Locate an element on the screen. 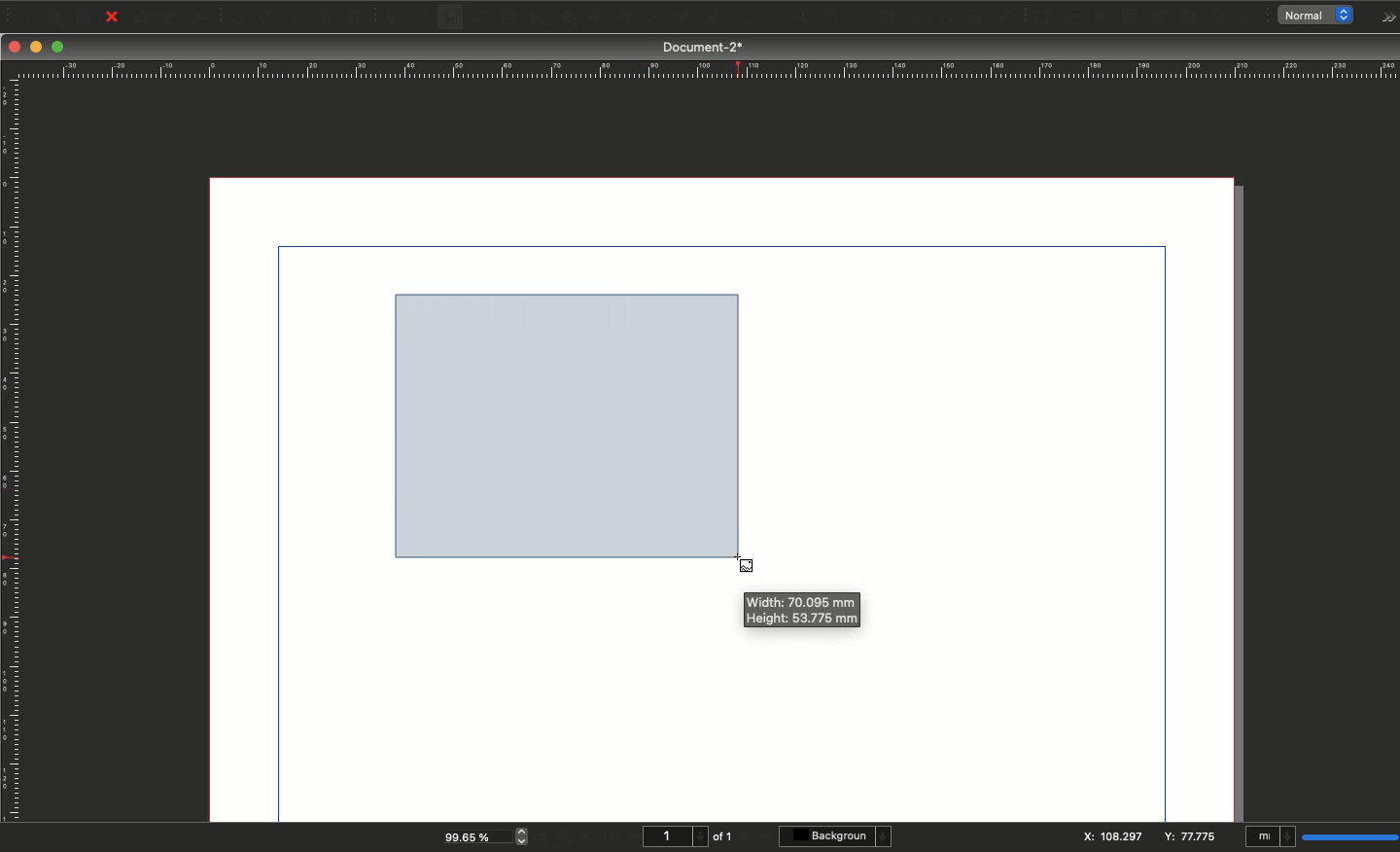 Image resolution: width=1400 pixels, height=852 pixels. Zoom in or out is located at coordinates (773, 19).